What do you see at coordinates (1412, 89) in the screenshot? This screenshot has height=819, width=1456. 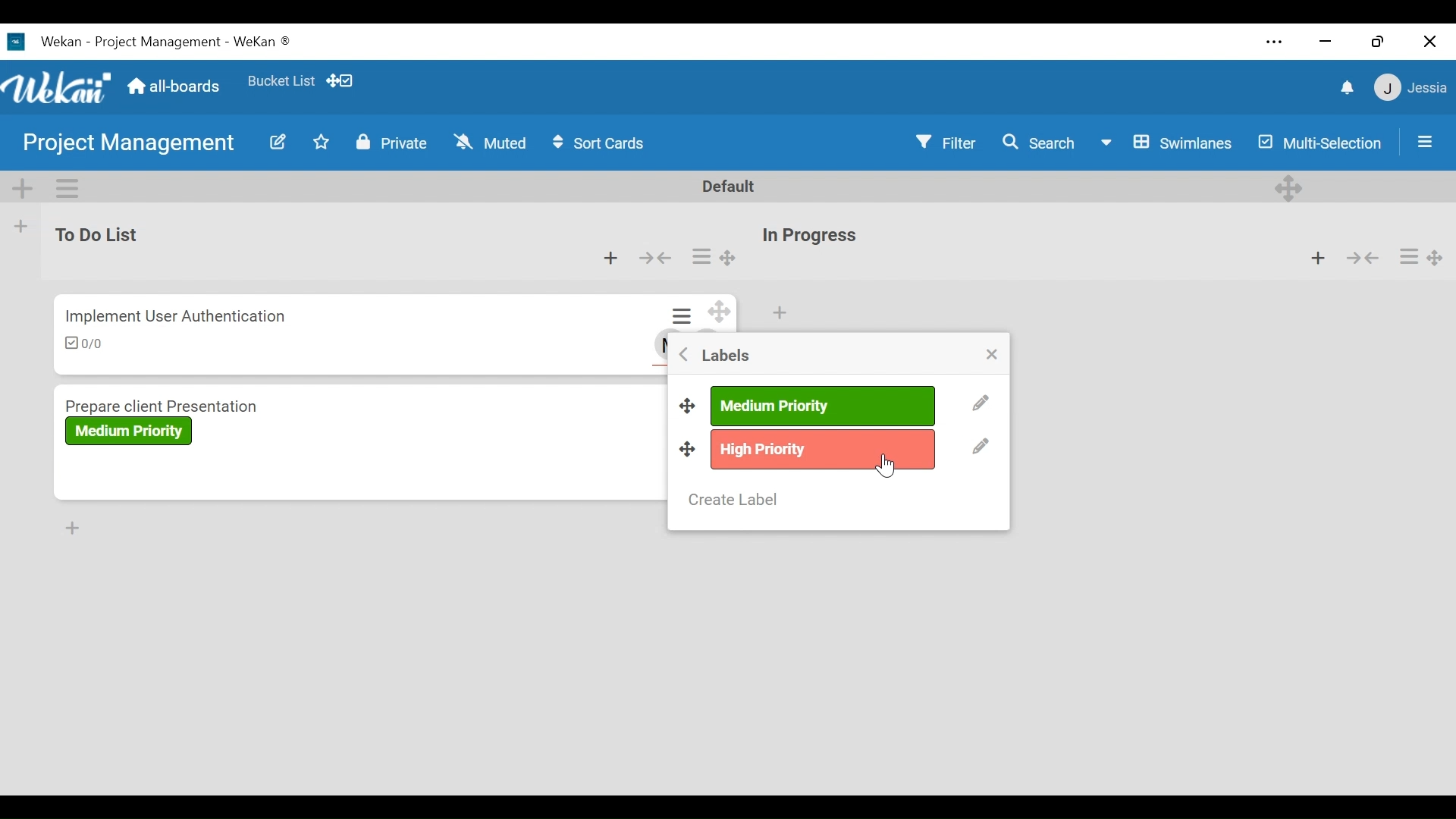 I see `Member Settings` at bounding box center [1412, 89].